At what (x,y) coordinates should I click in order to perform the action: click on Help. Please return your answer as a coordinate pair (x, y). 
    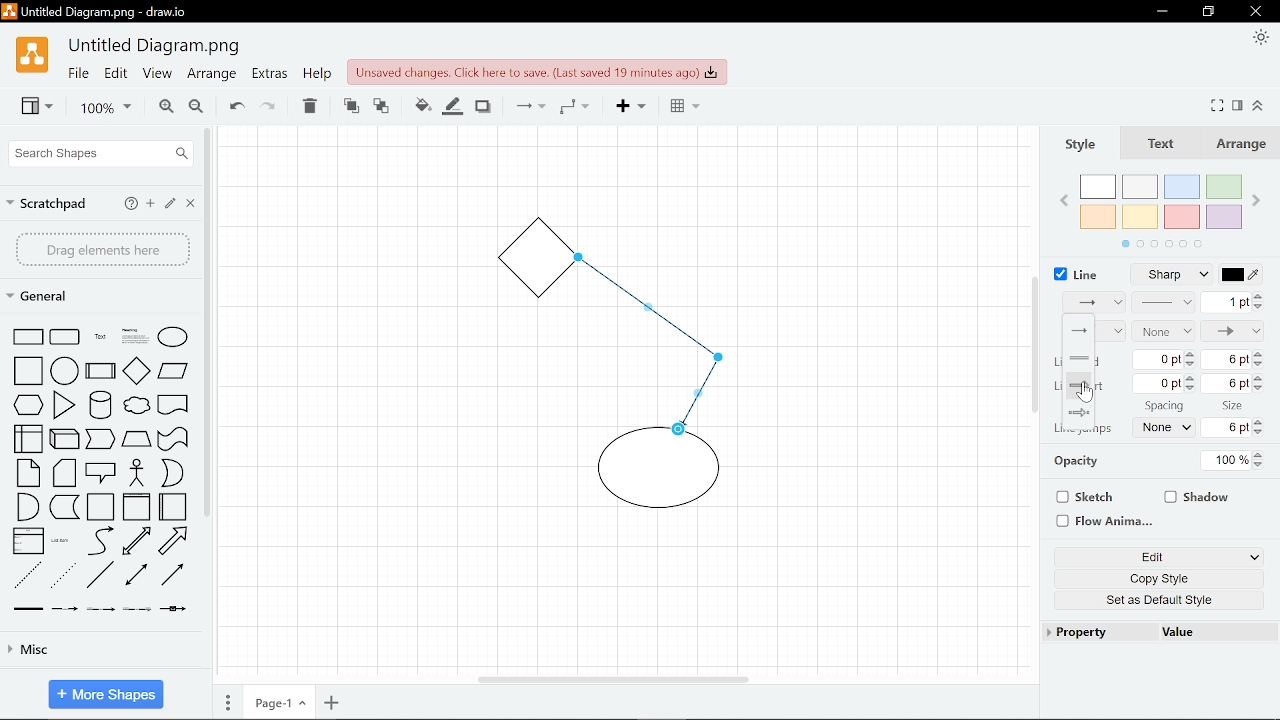
    Looking at the image, I should click on (130, 203).